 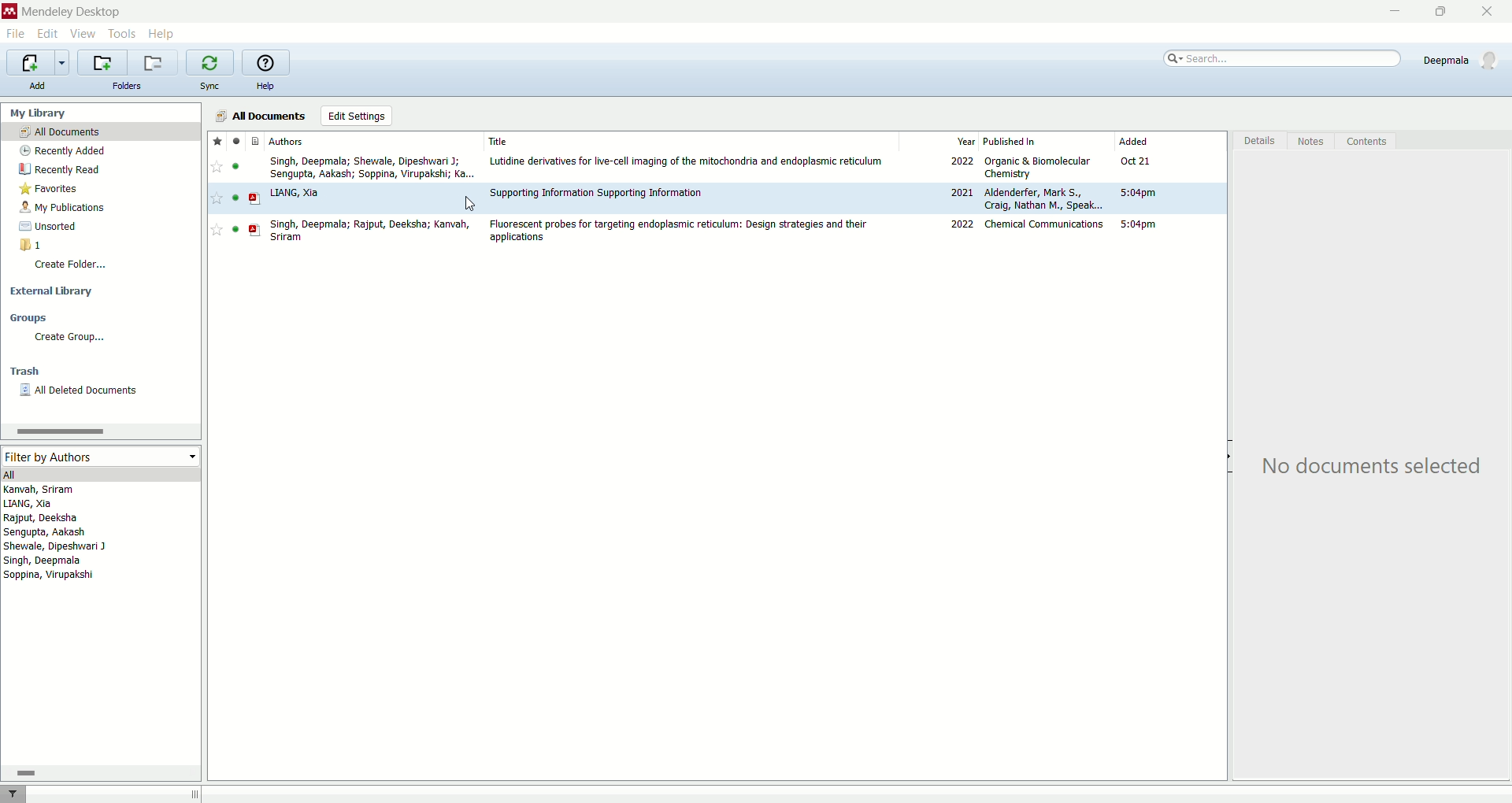 I want to click on import, so click(x=39, y=61).